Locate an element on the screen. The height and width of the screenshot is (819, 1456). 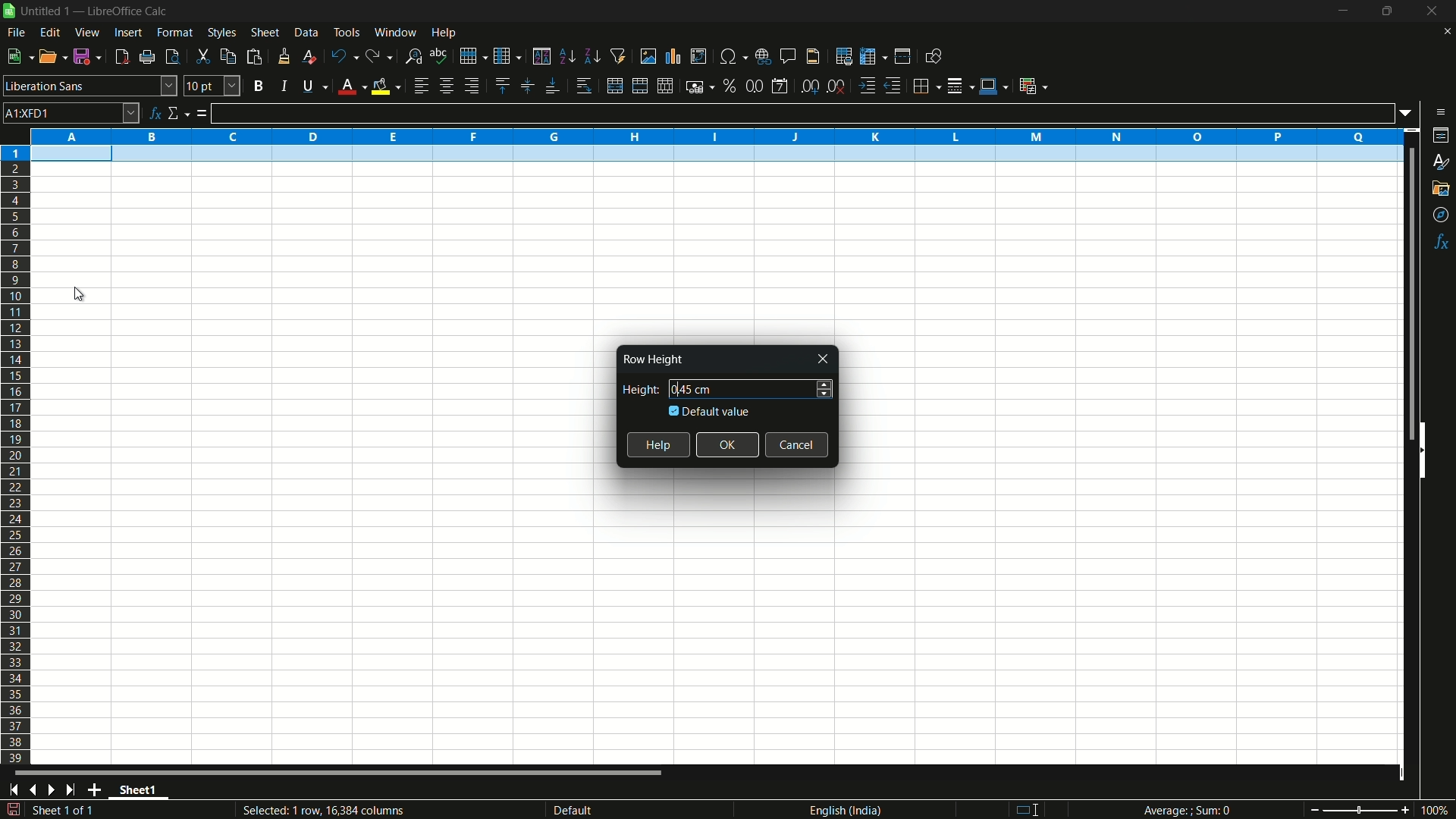
split window is located at coordinates (902, 57).